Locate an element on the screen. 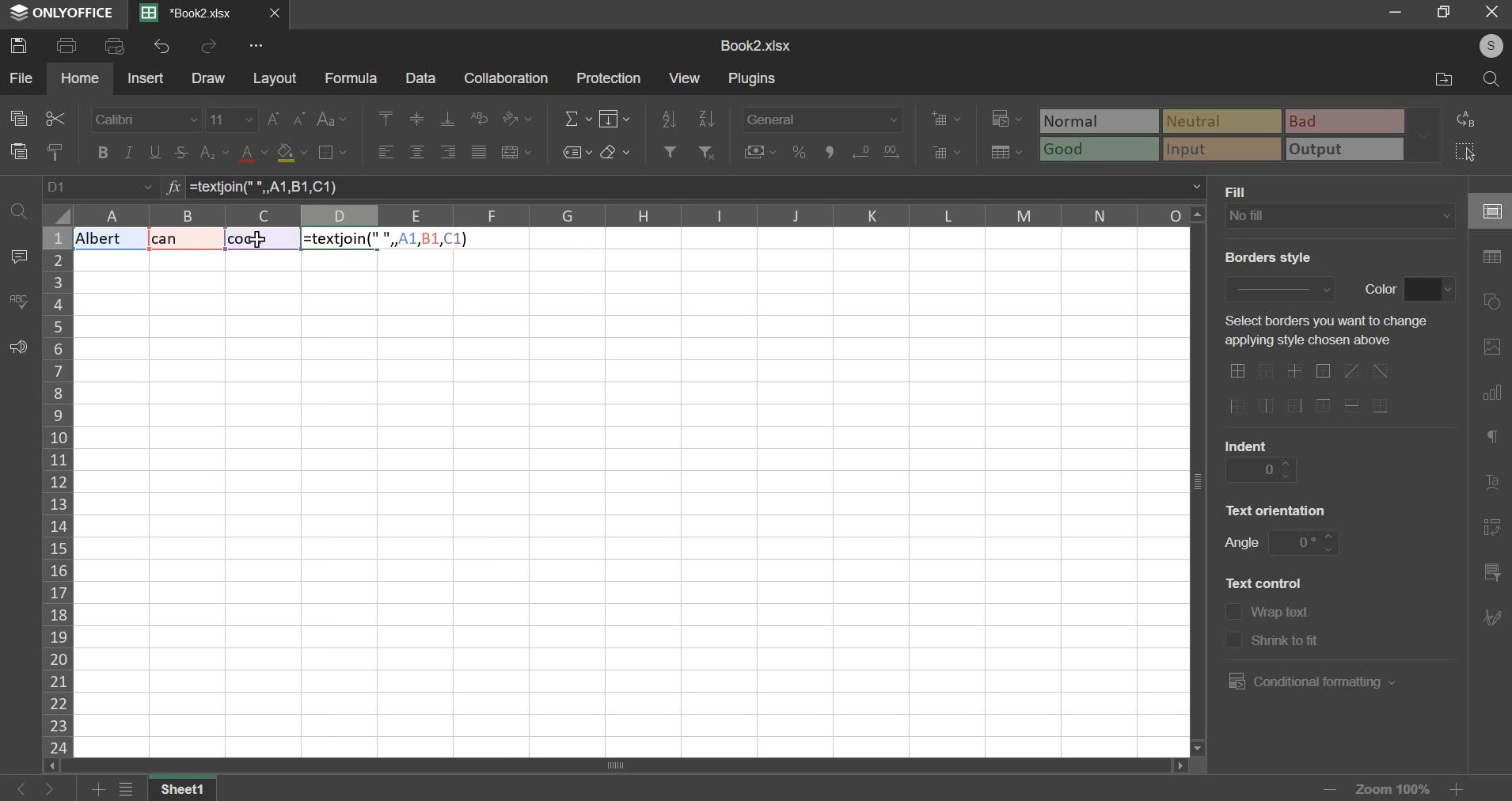 Image resolution: width=1512 pixels, height=801 pixels. text is located at coordinates (1320, 332).